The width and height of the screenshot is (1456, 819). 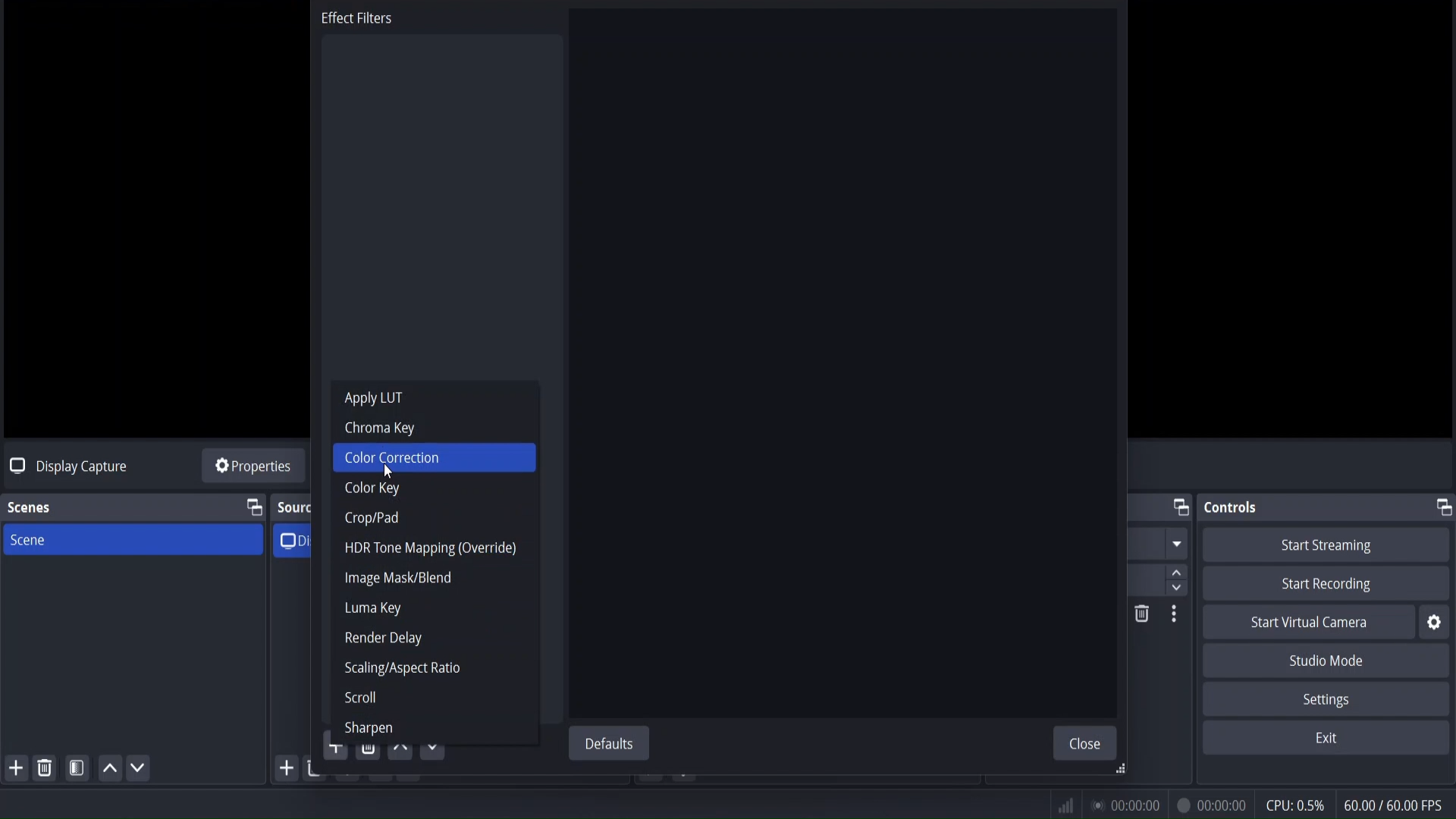 What do you see at coordinates (28, 541) in the screenshot?
I see `scene` at bounding box center [28, 541].